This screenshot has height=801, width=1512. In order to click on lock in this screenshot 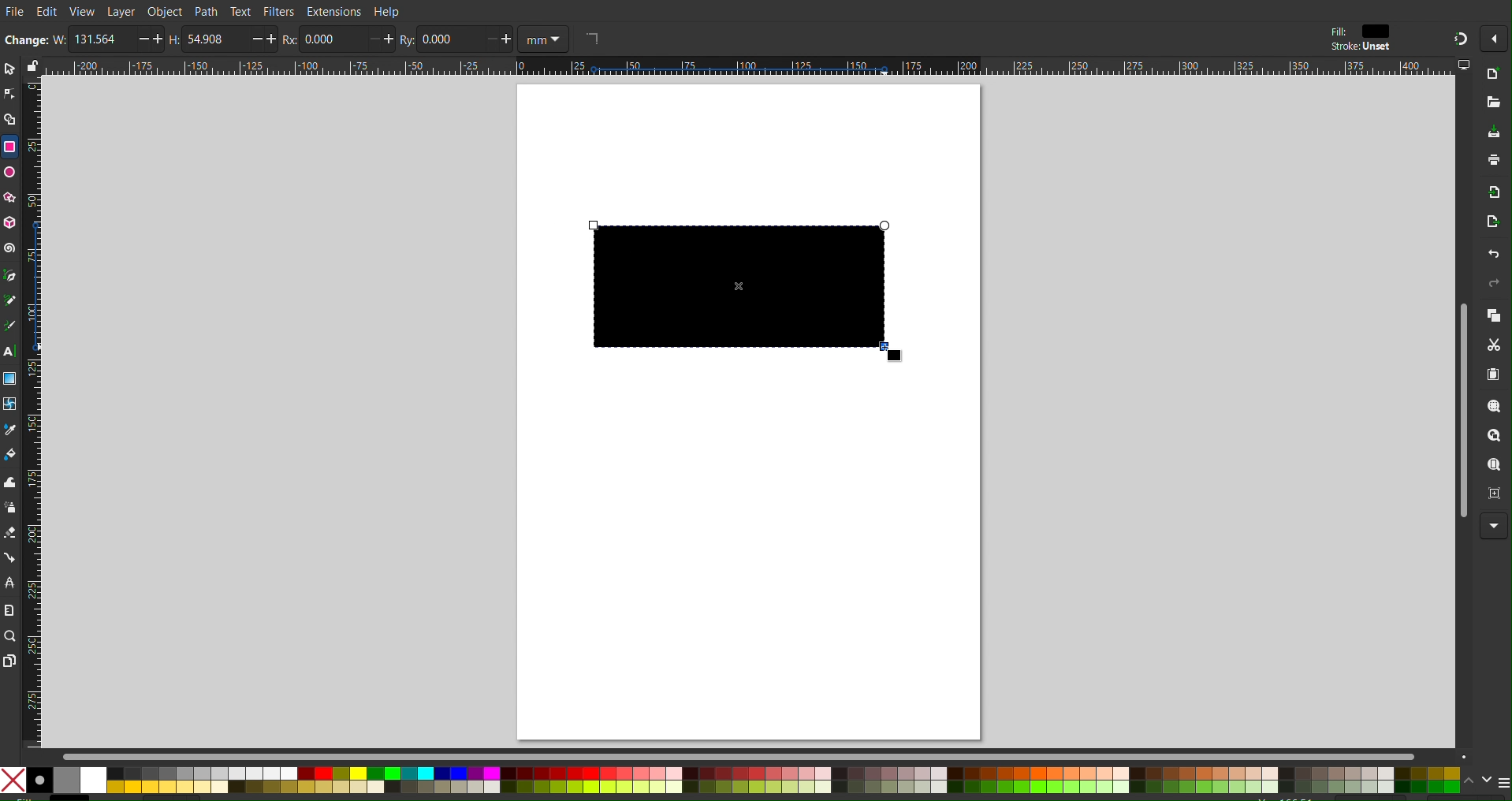, I will do `click(31, 65)`.